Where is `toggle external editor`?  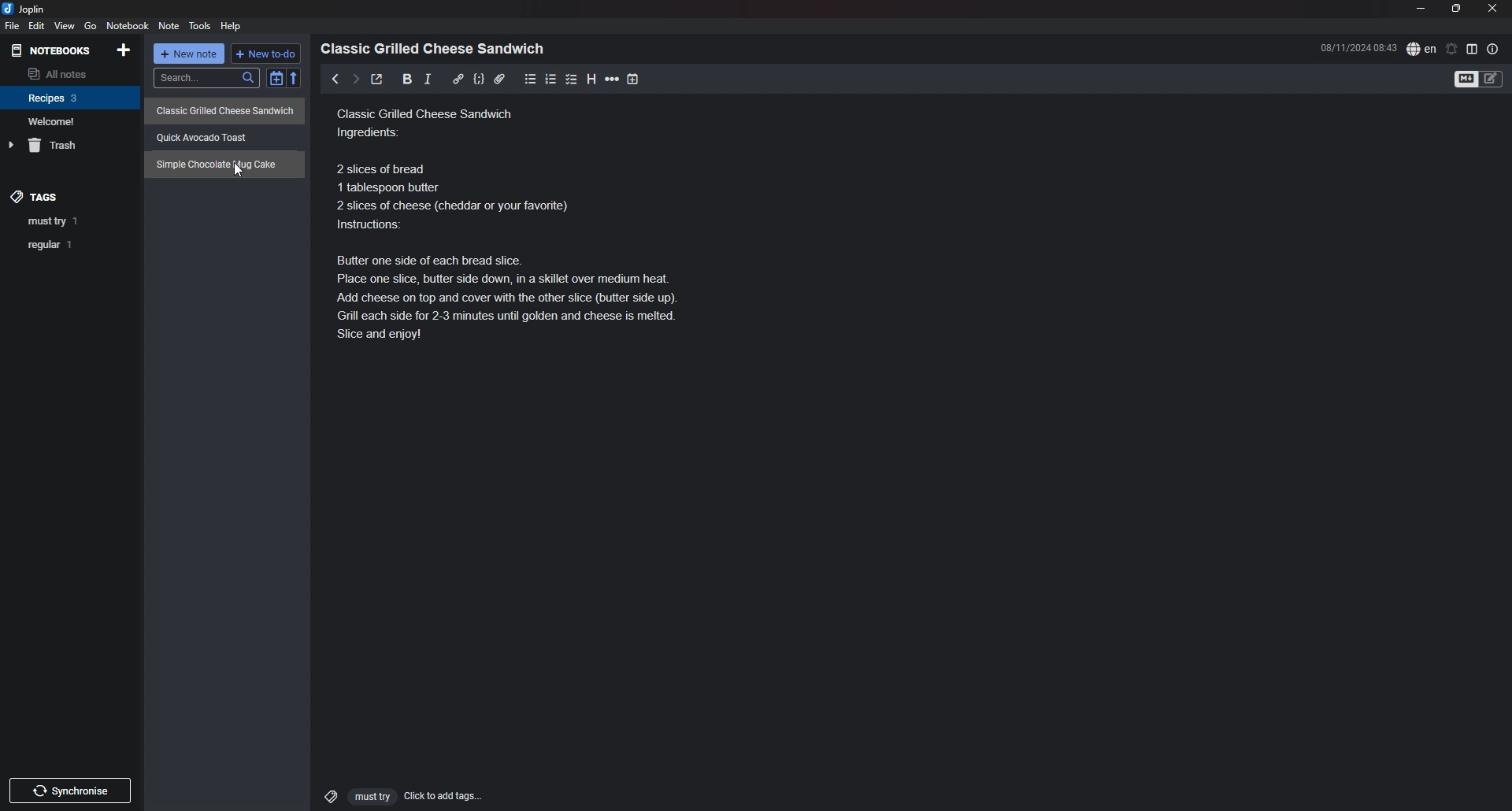 toggle external editor is located at coordinates (376, 81).